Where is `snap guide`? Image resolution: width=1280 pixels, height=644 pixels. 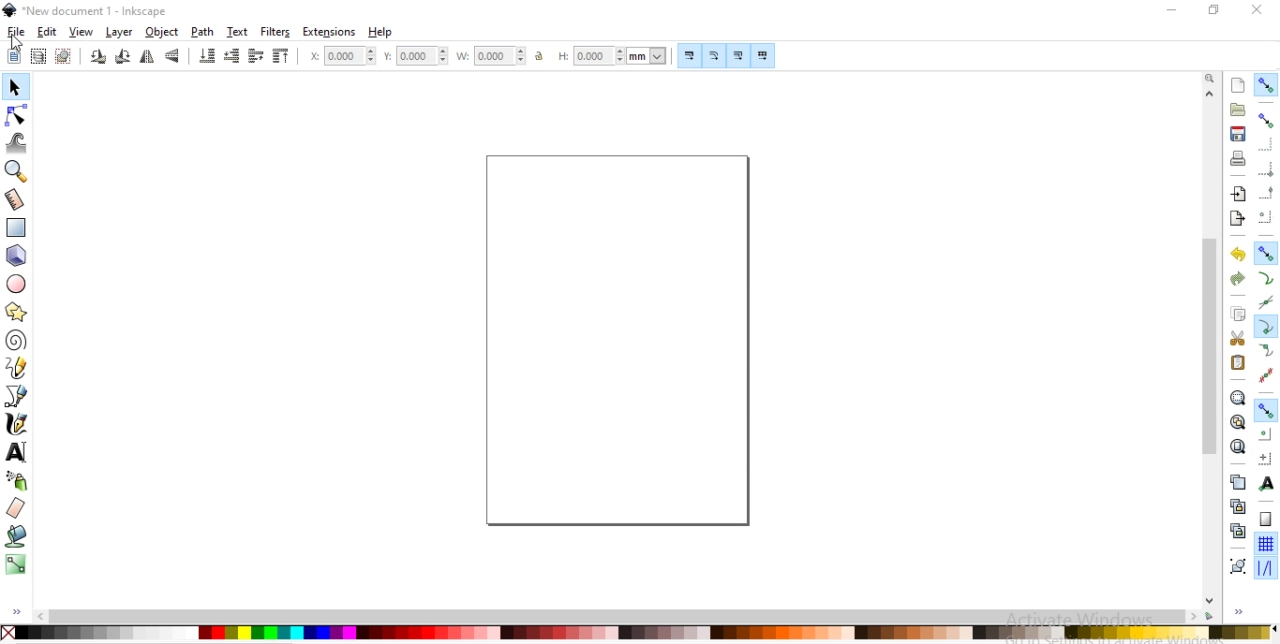 snap guide is located at coordinates (1266, 569).